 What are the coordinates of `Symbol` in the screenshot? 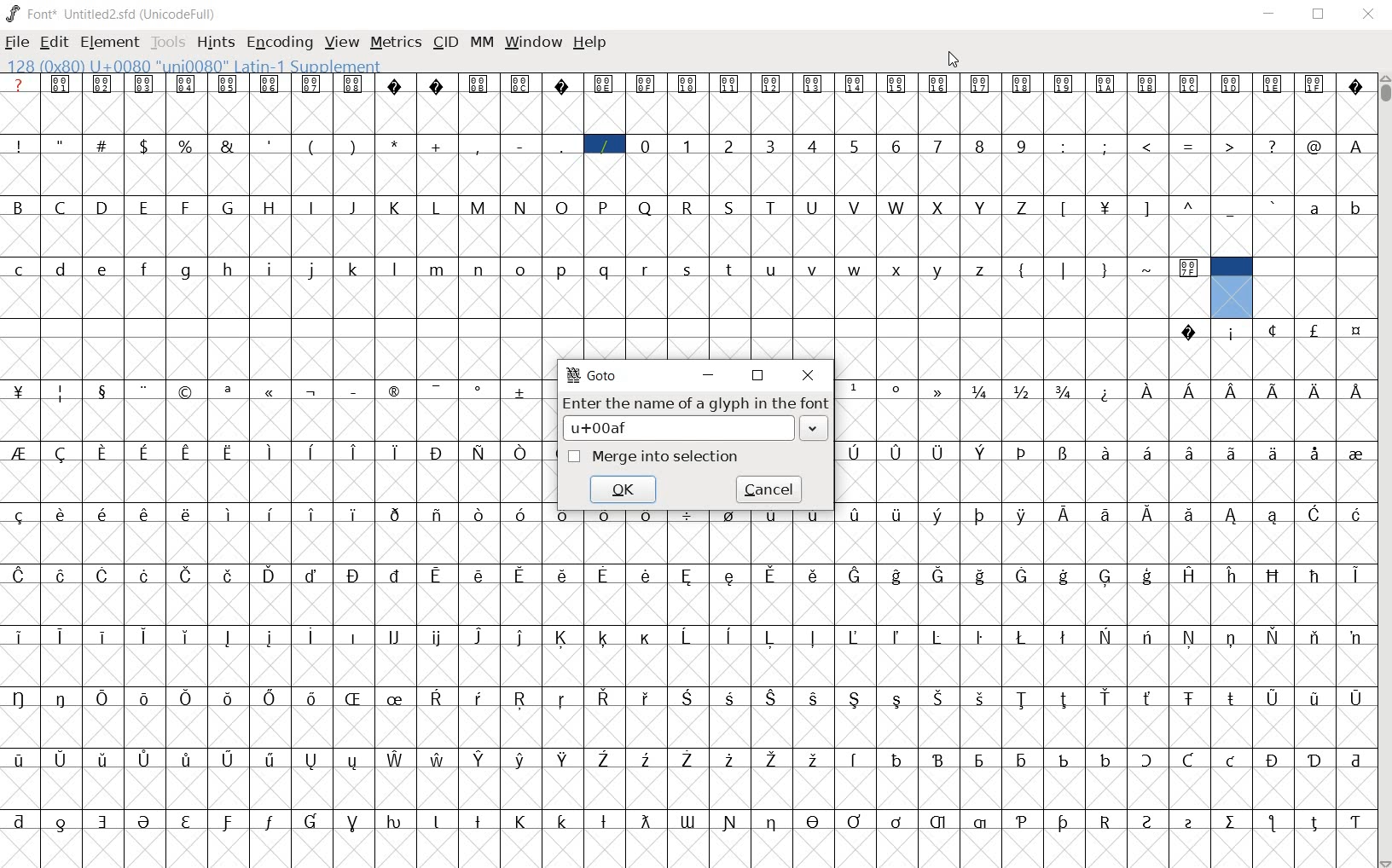 It's located at (1106, 391).